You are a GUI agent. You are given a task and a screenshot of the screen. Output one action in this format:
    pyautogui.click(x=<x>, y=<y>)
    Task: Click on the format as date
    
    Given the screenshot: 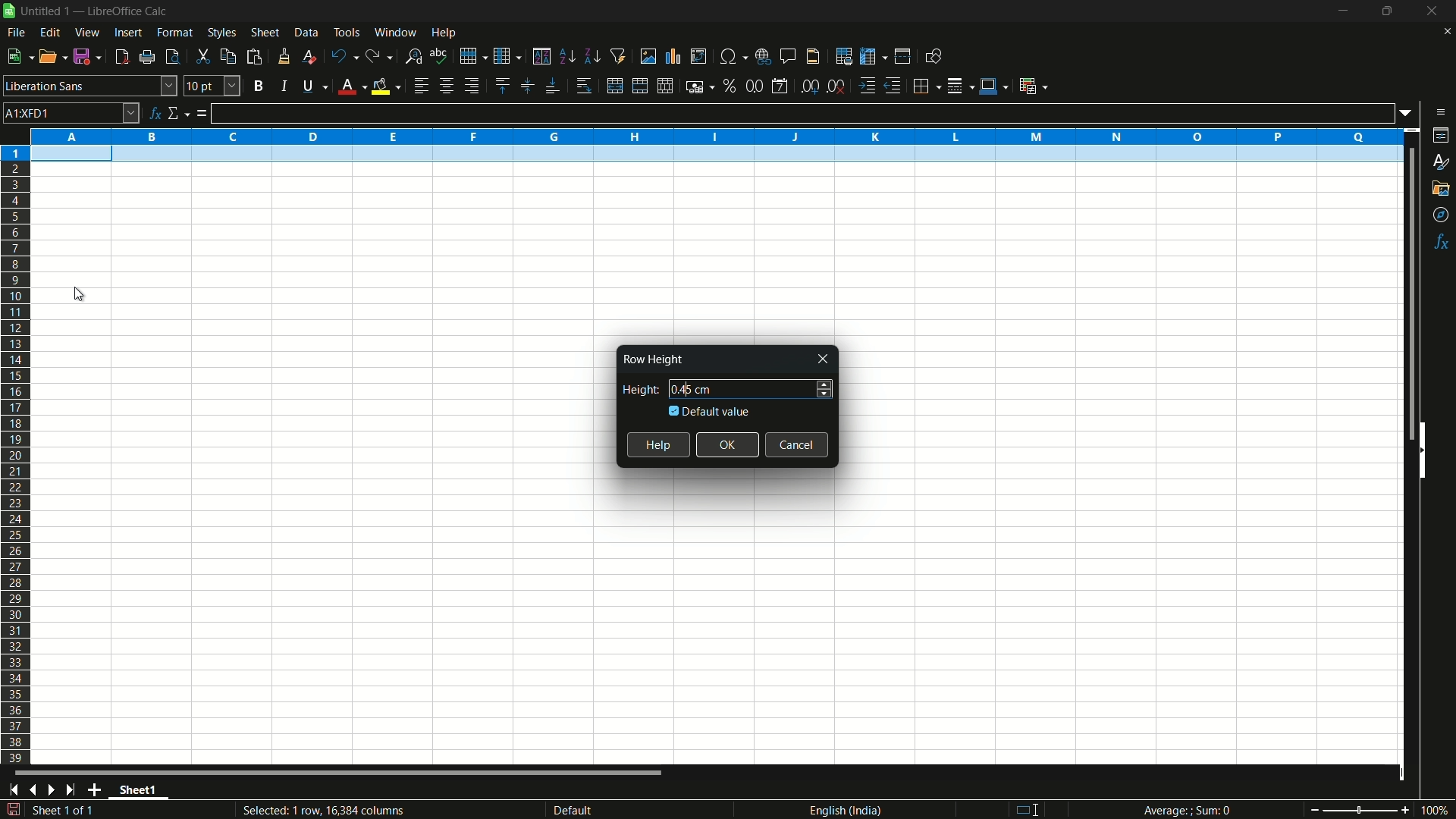 What is the action you would take?
    pyautogui.click(x=780, y=86)
    